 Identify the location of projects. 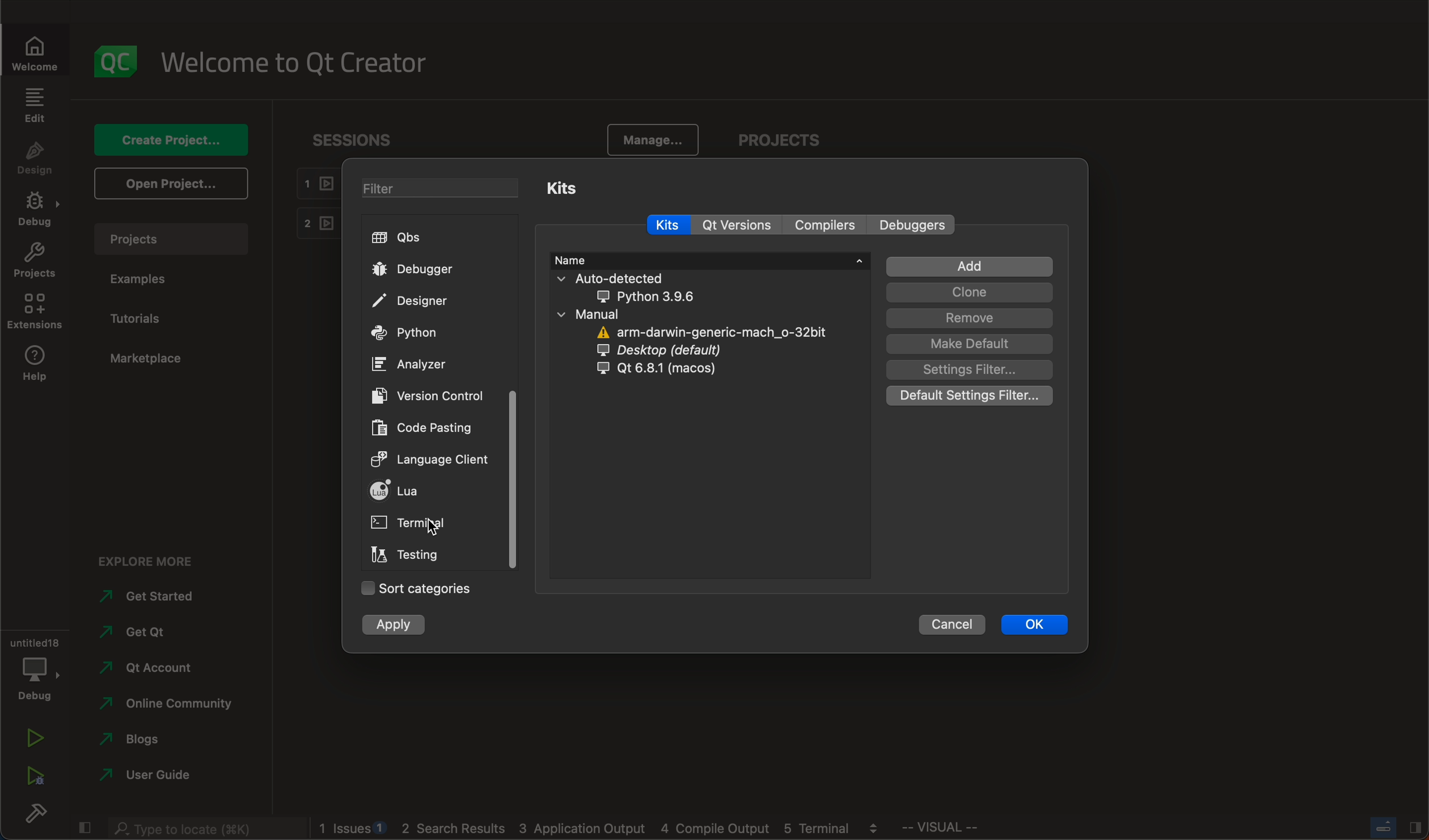
(35, 262).